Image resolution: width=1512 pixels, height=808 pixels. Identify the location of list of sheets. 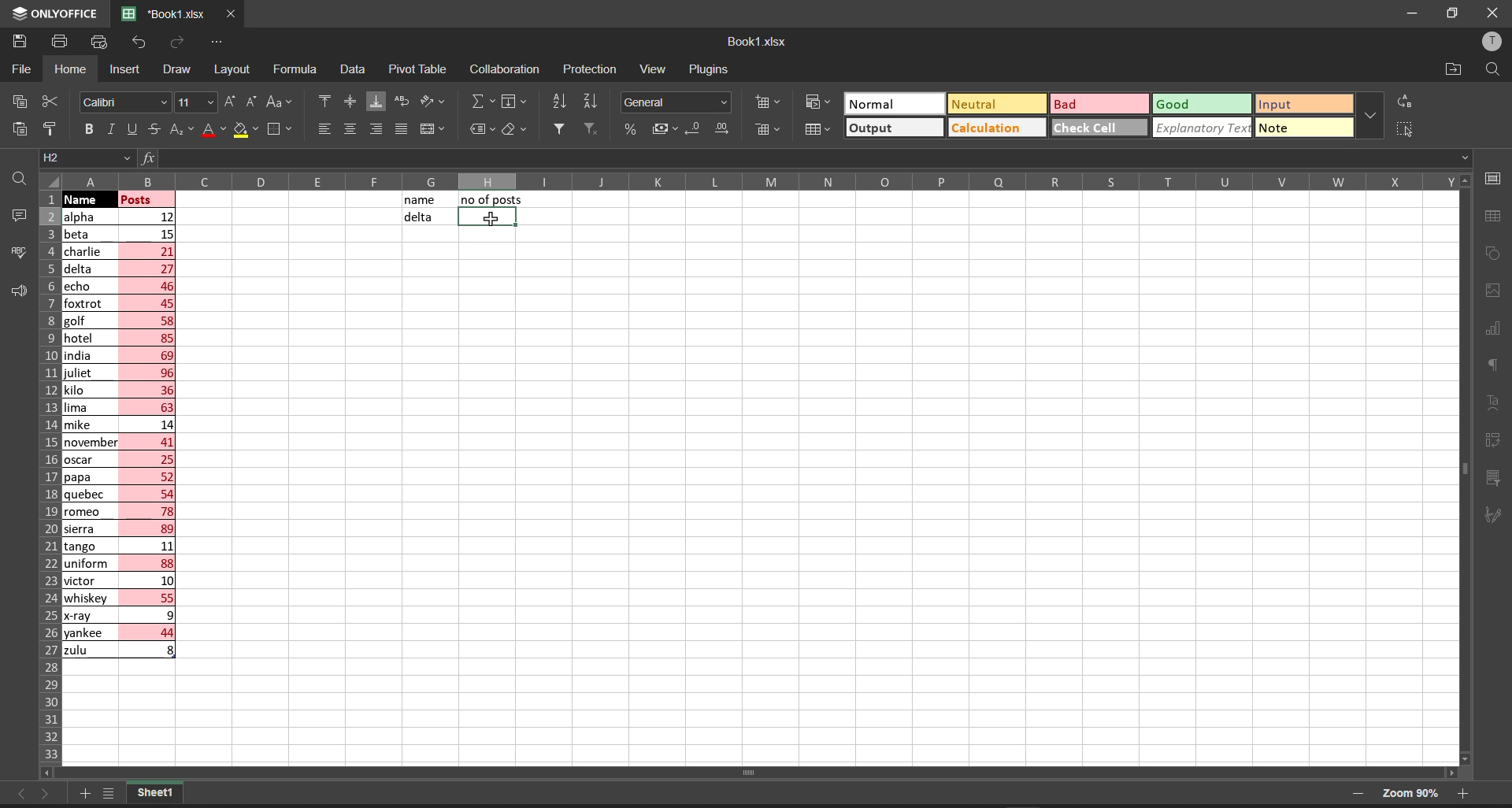
(113, 795).